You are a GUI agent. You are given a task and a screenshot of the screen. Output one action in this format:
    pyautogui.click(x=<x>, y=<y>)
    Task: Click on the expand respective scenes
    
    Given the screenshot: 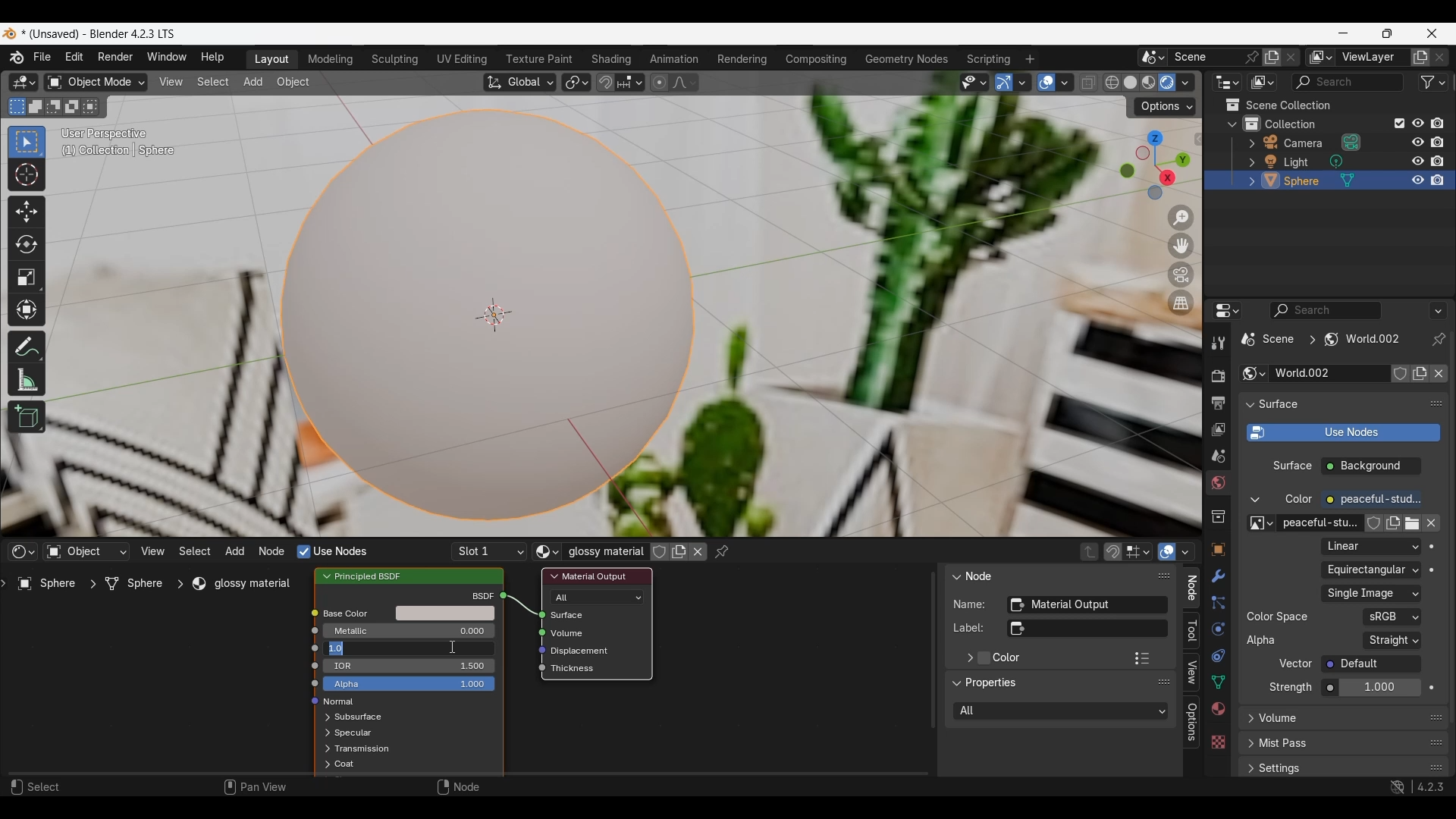 What is the action you would take?
    pyautogui.click(x=1247, y=180)
    